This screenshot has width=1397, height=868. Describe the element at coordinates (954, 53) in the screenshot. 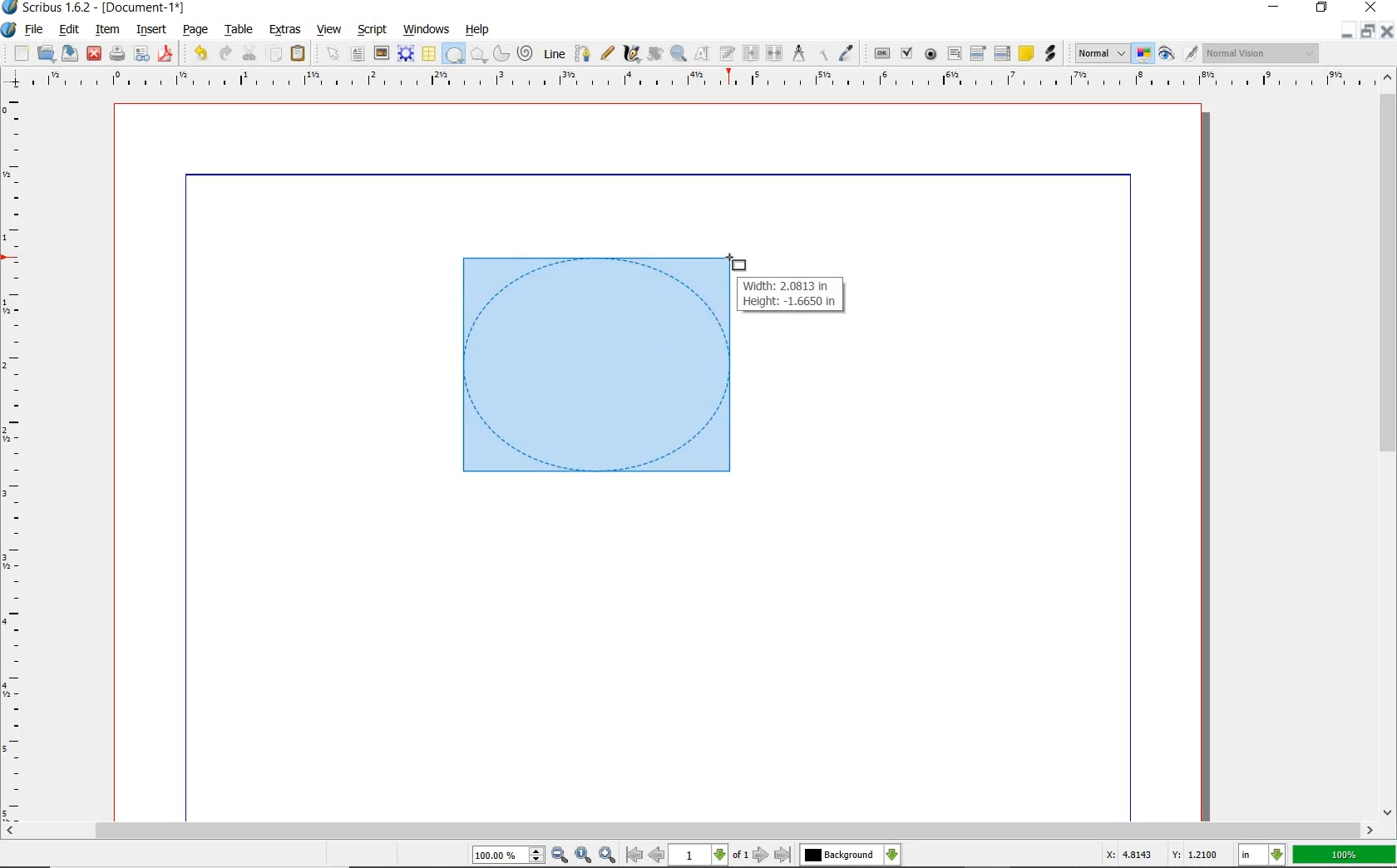

I see `PDF TEXT FIELD` at that location.